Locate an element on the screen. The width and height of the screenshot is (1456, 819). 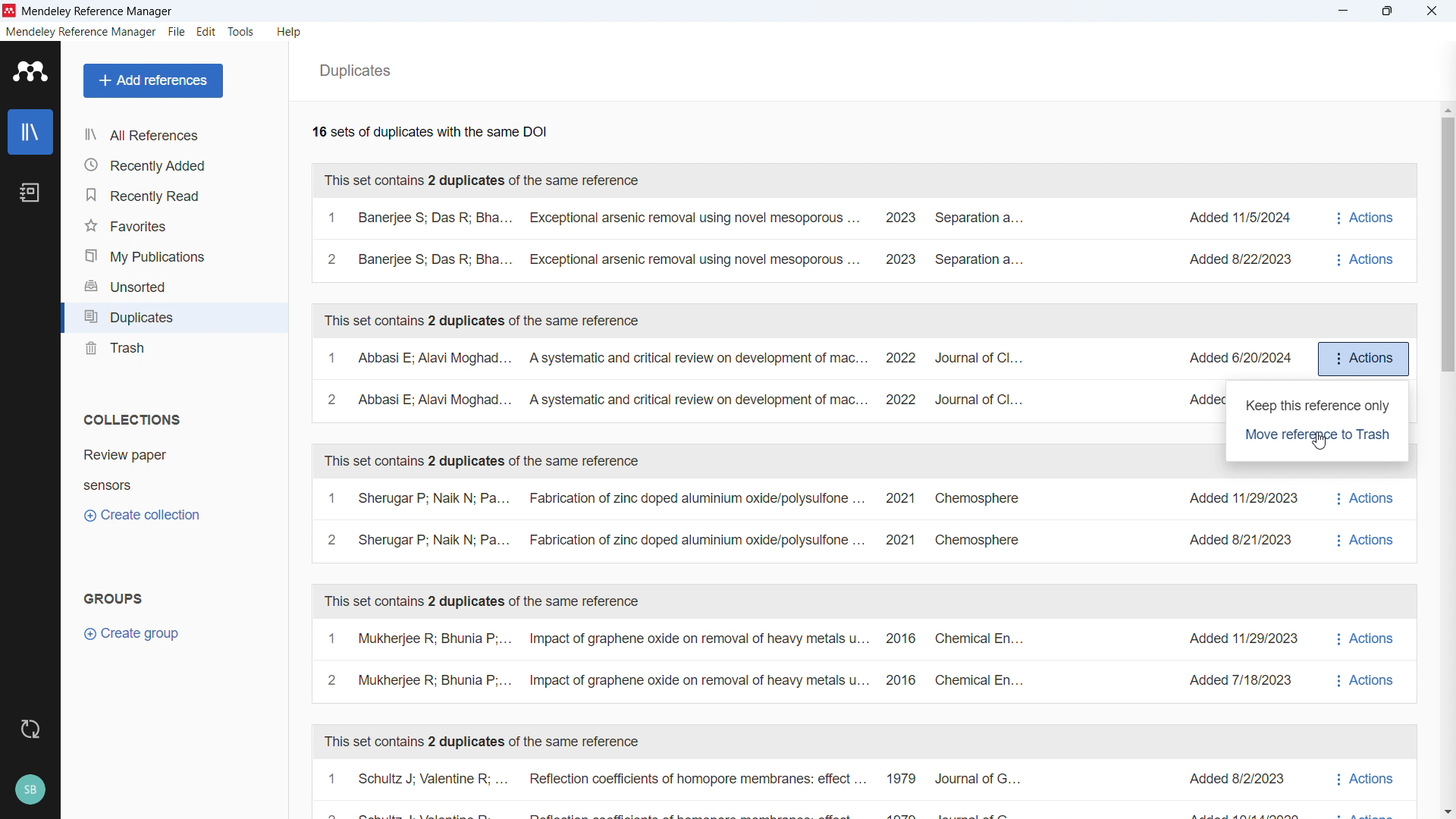
Duplicates  is located at coordinates (174, 317).